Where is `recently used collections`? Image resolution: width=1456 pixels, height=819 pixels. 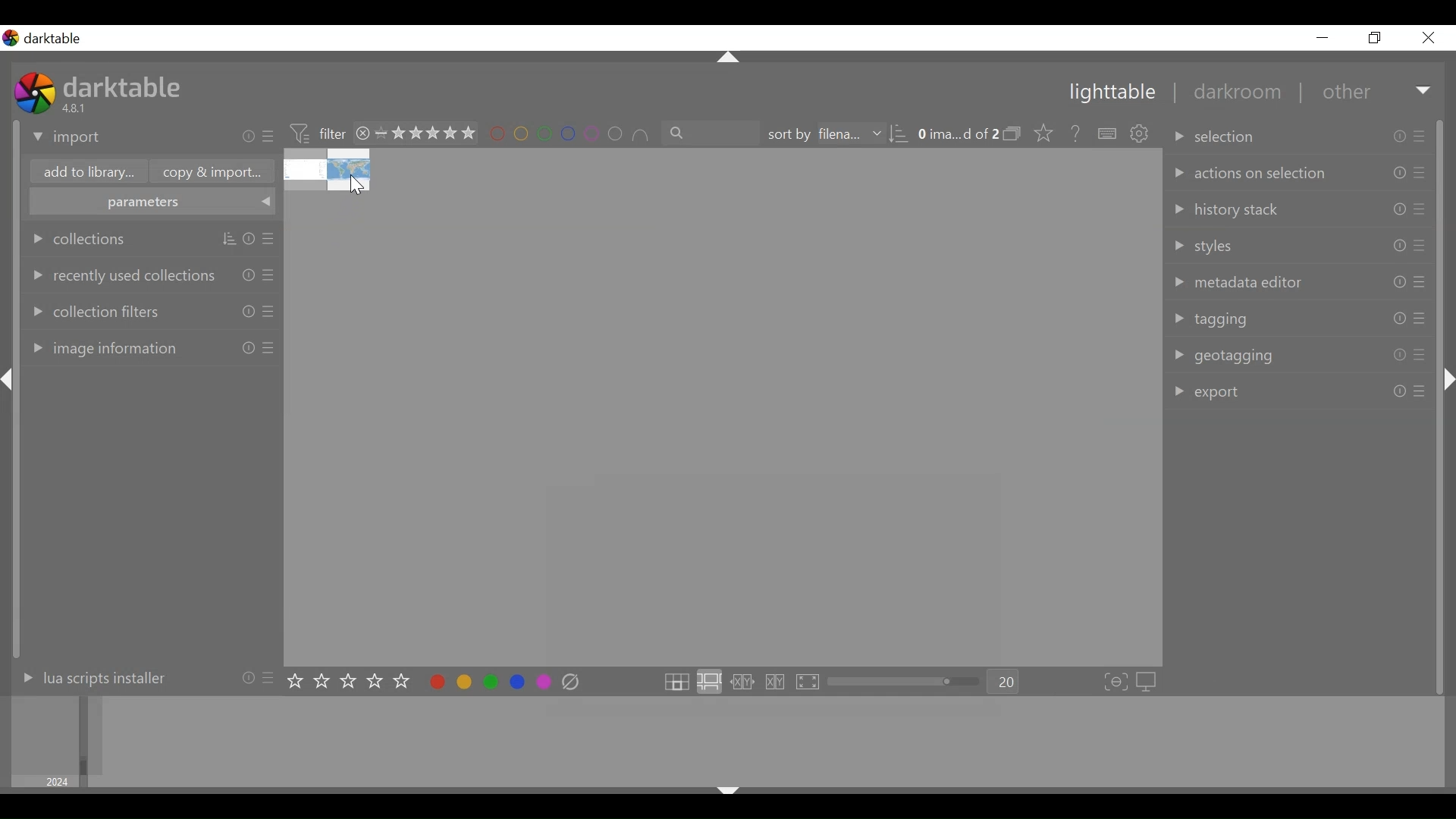
recently used collections is located at coordinates (120, 275).